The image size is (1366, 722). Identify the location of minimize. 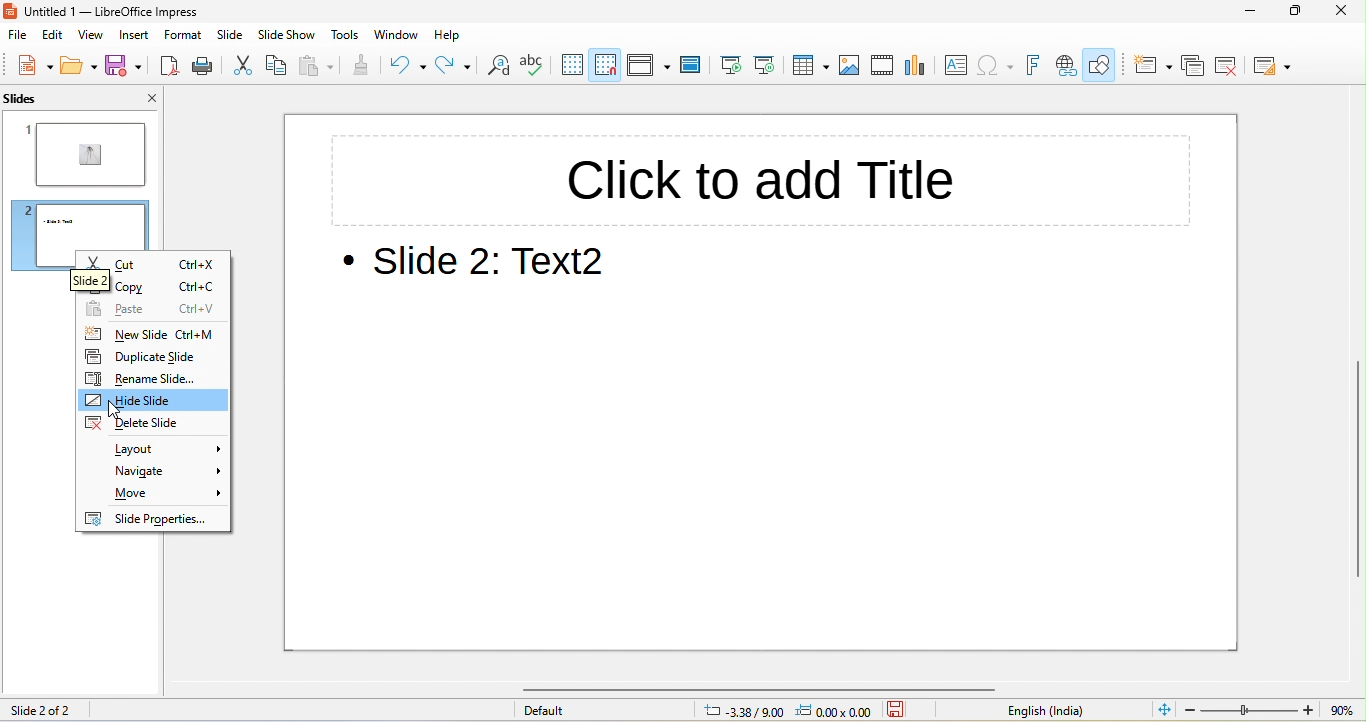
(1238, 11).